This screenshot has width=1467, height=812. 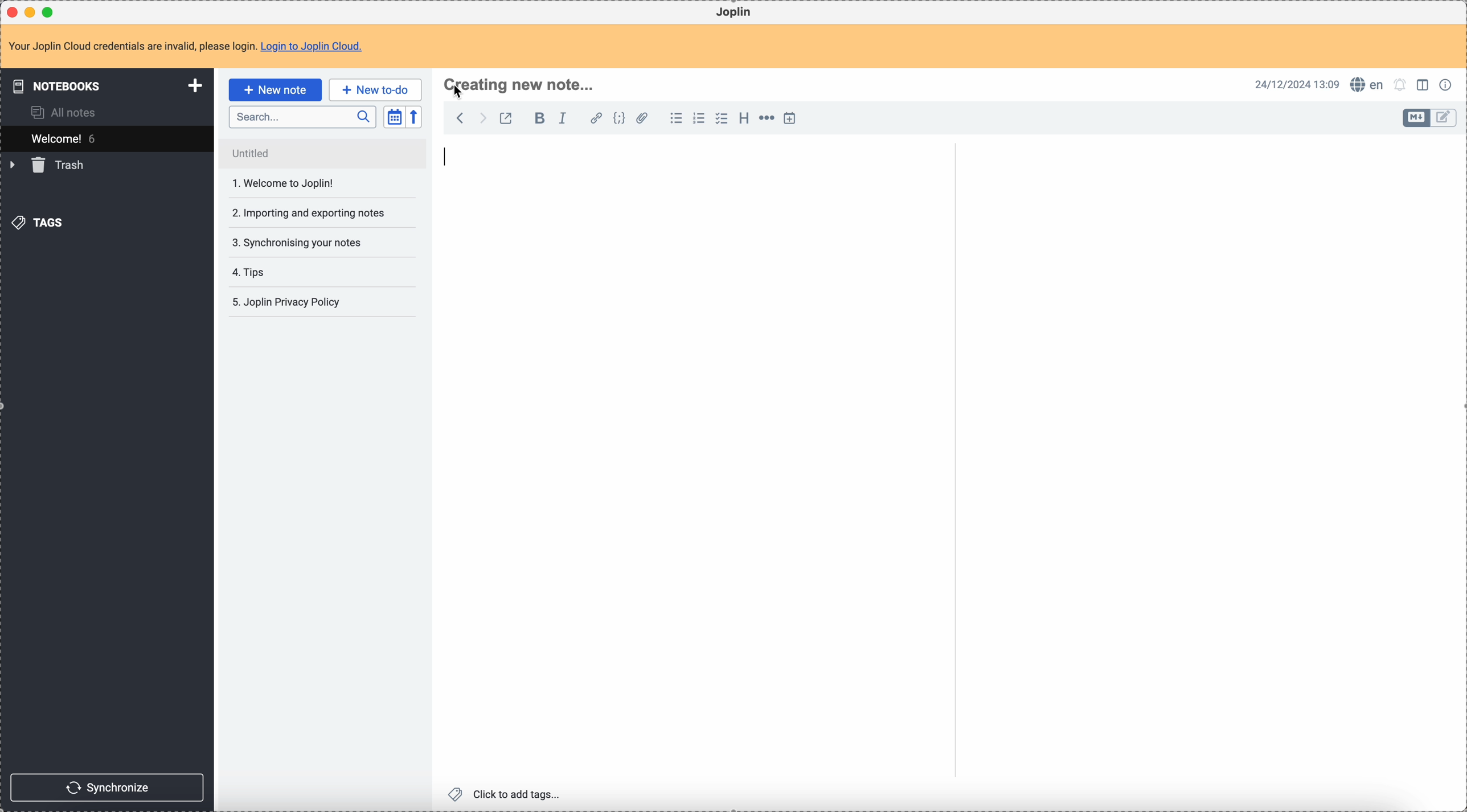 What do you see at coordinates (721, 118) in the screenshot?
I see `check list` at bounding box center [721, 118].